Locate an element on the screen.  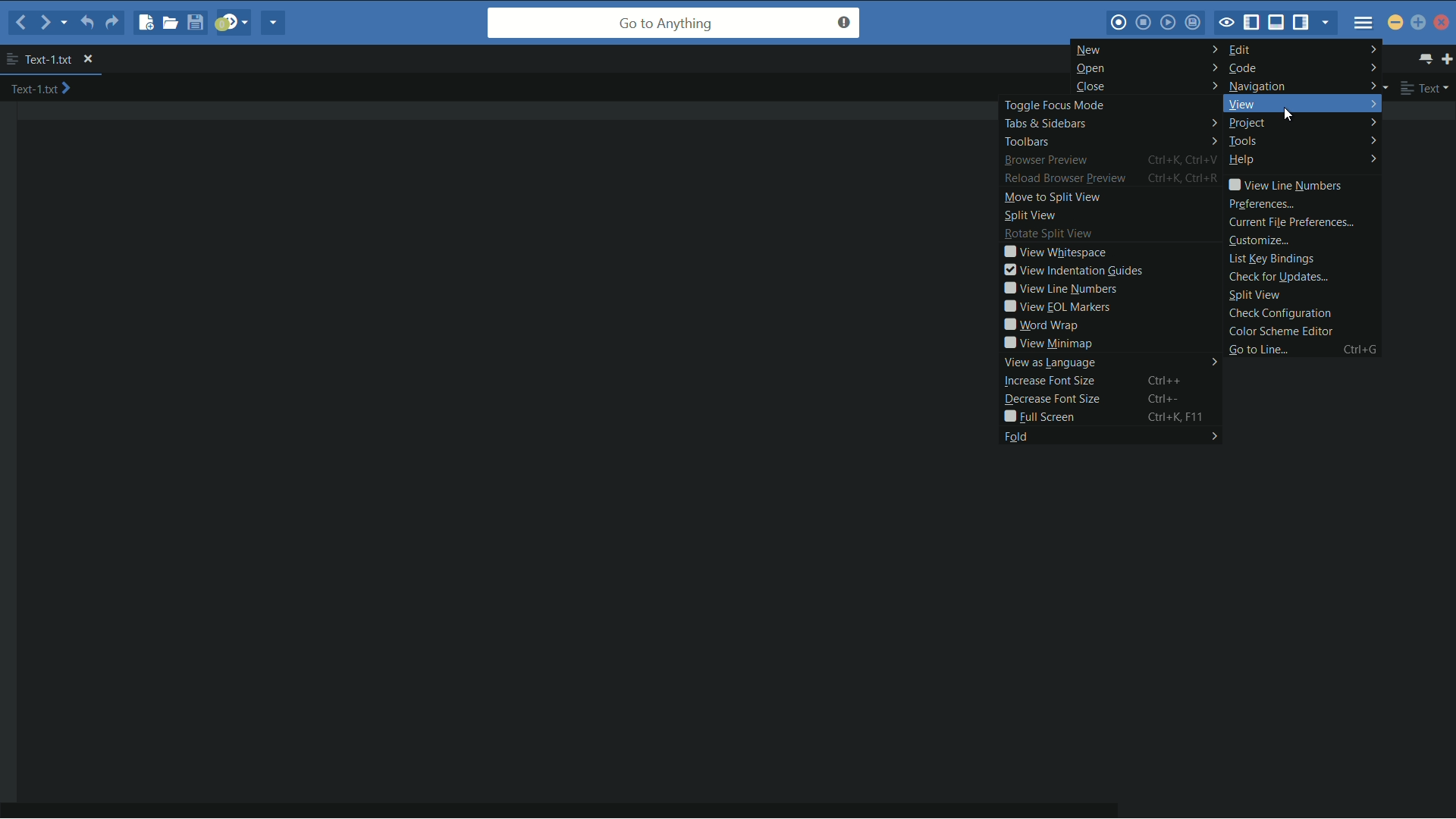
new tab is located at coordinates (1447, 58).